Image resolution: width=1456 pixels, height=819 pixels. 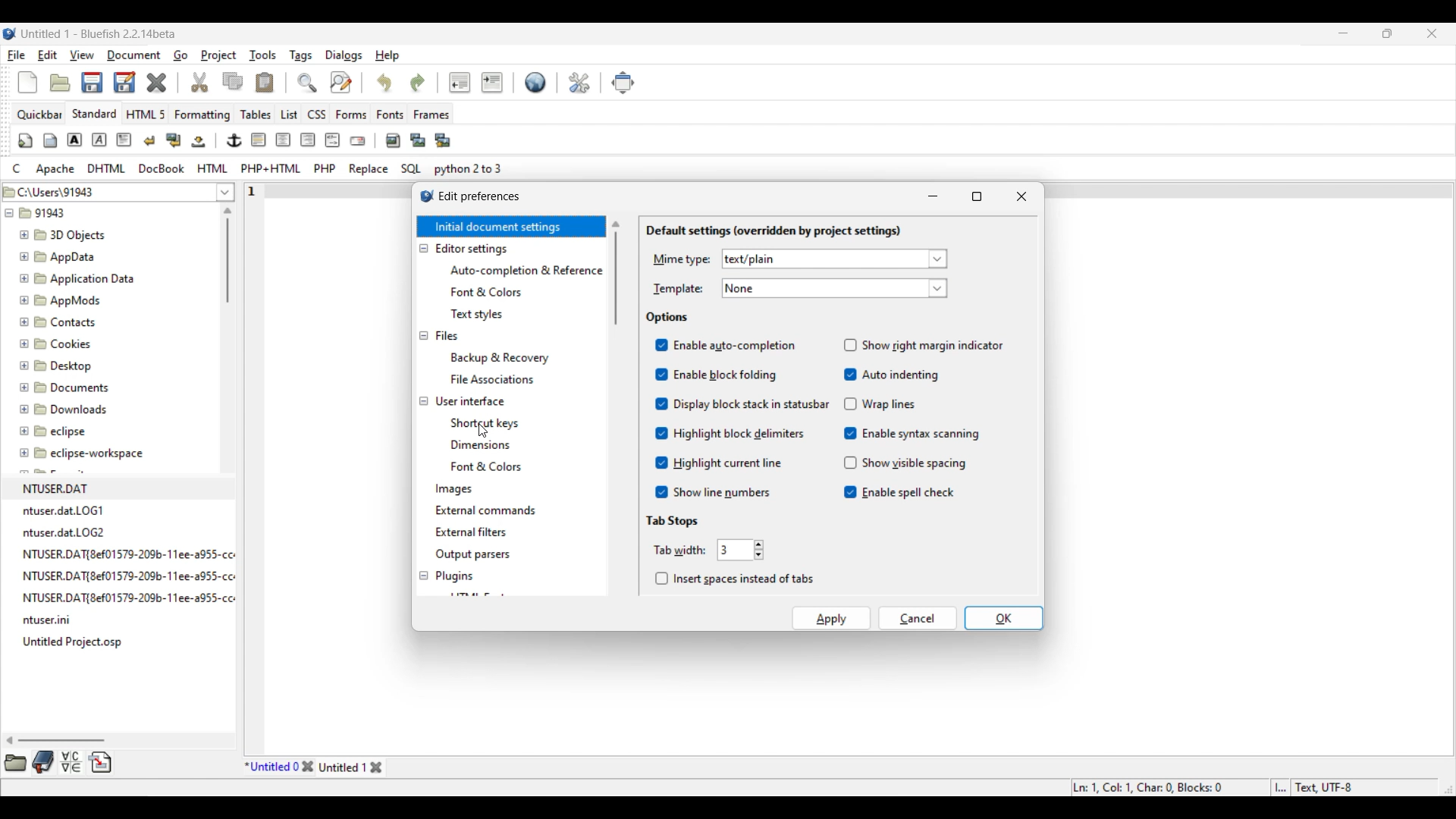 I want to click on show line numbers, so click(x=711, y=491).